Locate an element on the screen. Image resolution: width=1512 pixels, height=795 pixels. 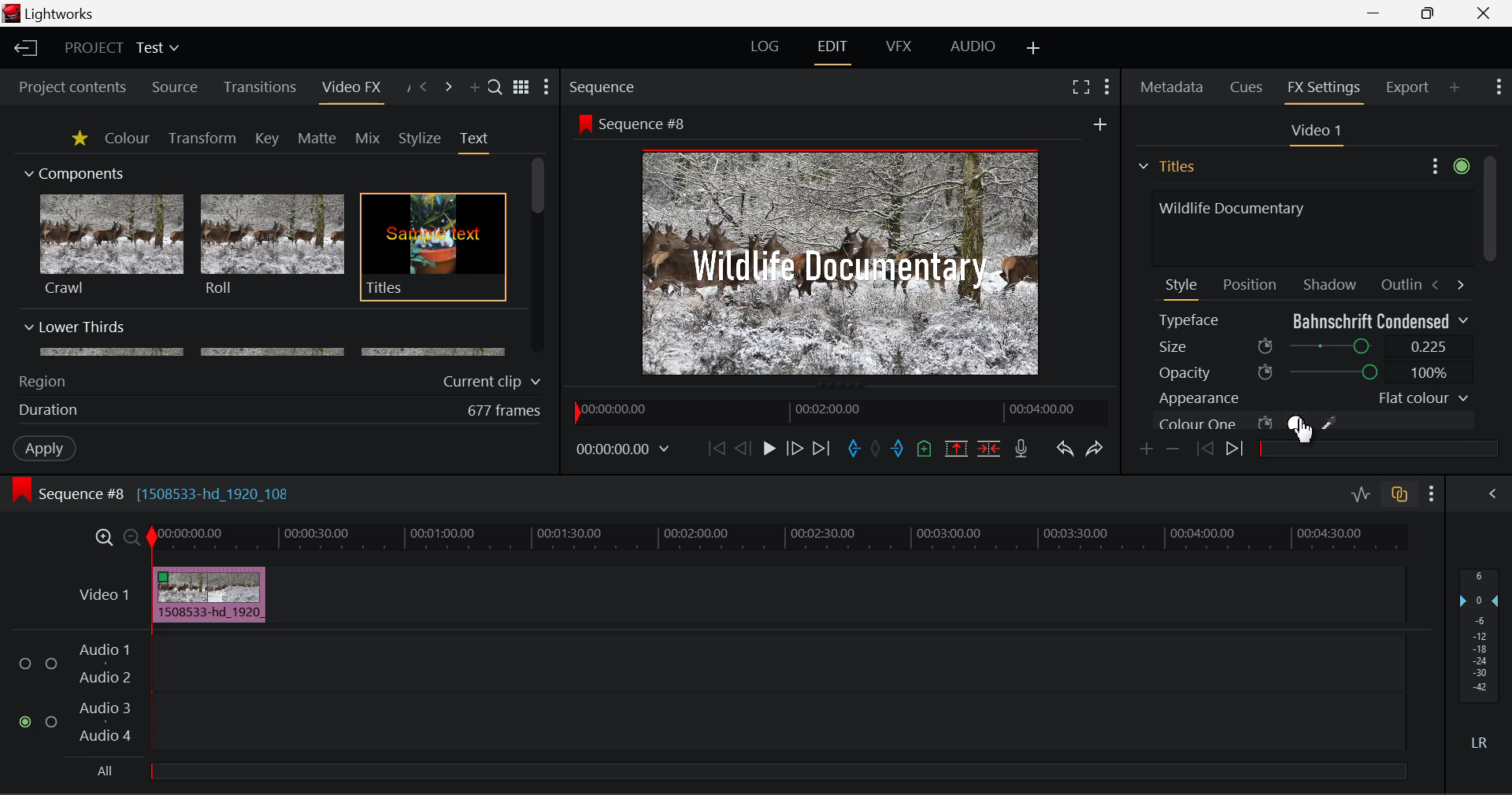
Show Settings is located at coordinates (547, 87).